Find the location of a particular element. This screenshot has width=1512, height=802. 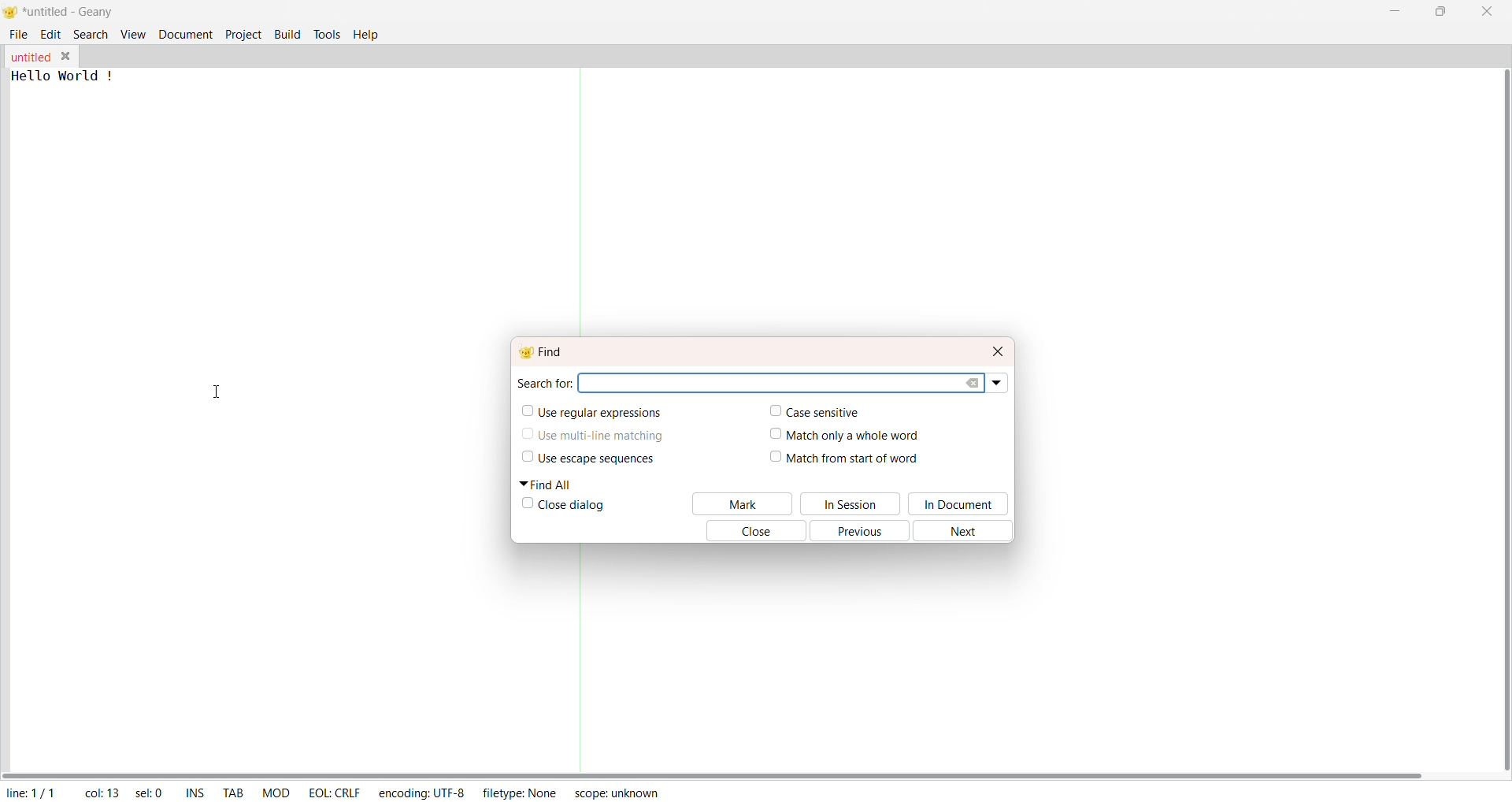

Edit is located at coordinates (51, 35).